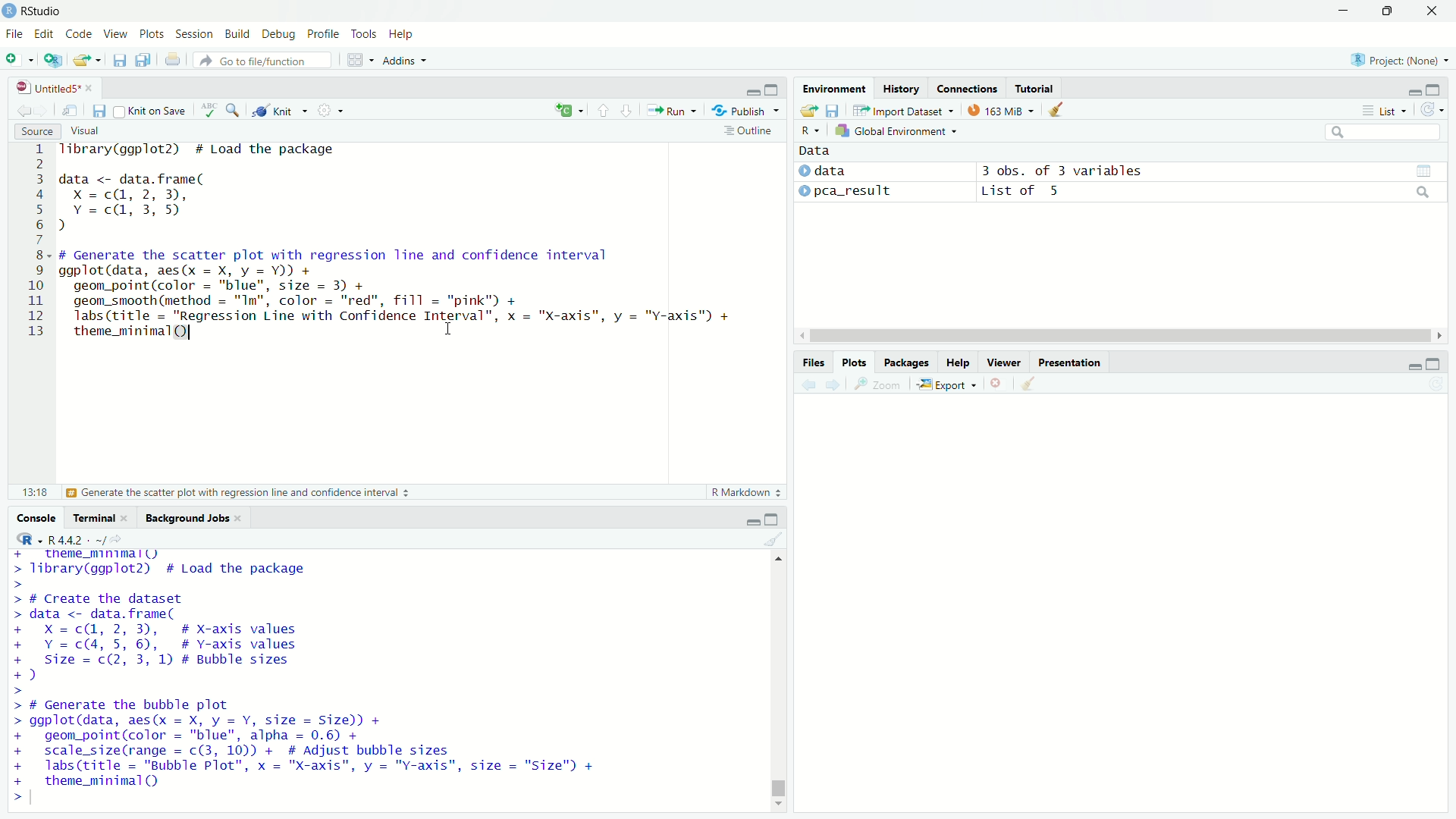  Describe the element at coordinates (78, 33) in the screenshot. I see `Code` at that location.